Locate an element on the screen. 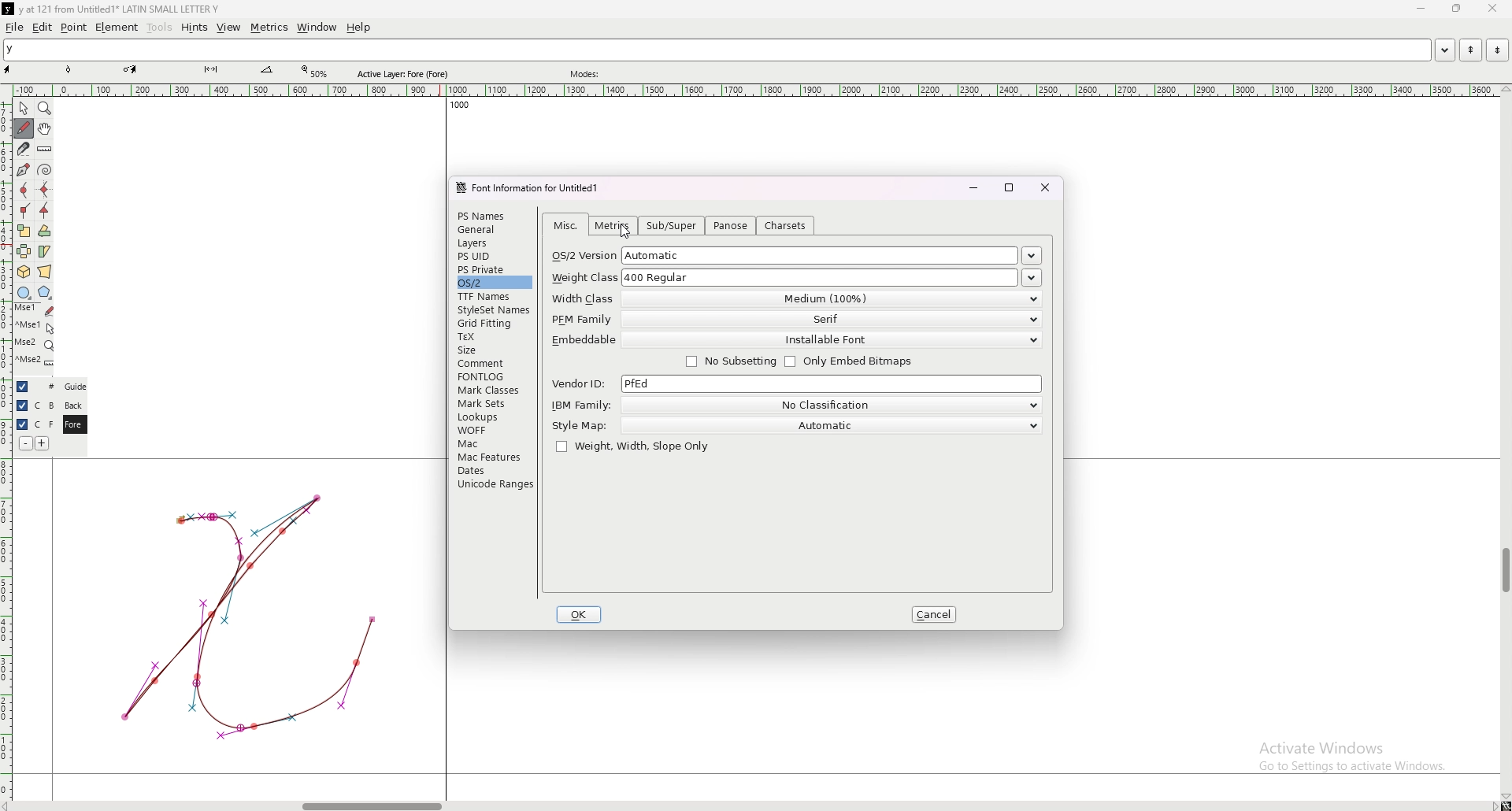 The image size is (1512, 811). draw freehand is located at coordinates (24, 128).